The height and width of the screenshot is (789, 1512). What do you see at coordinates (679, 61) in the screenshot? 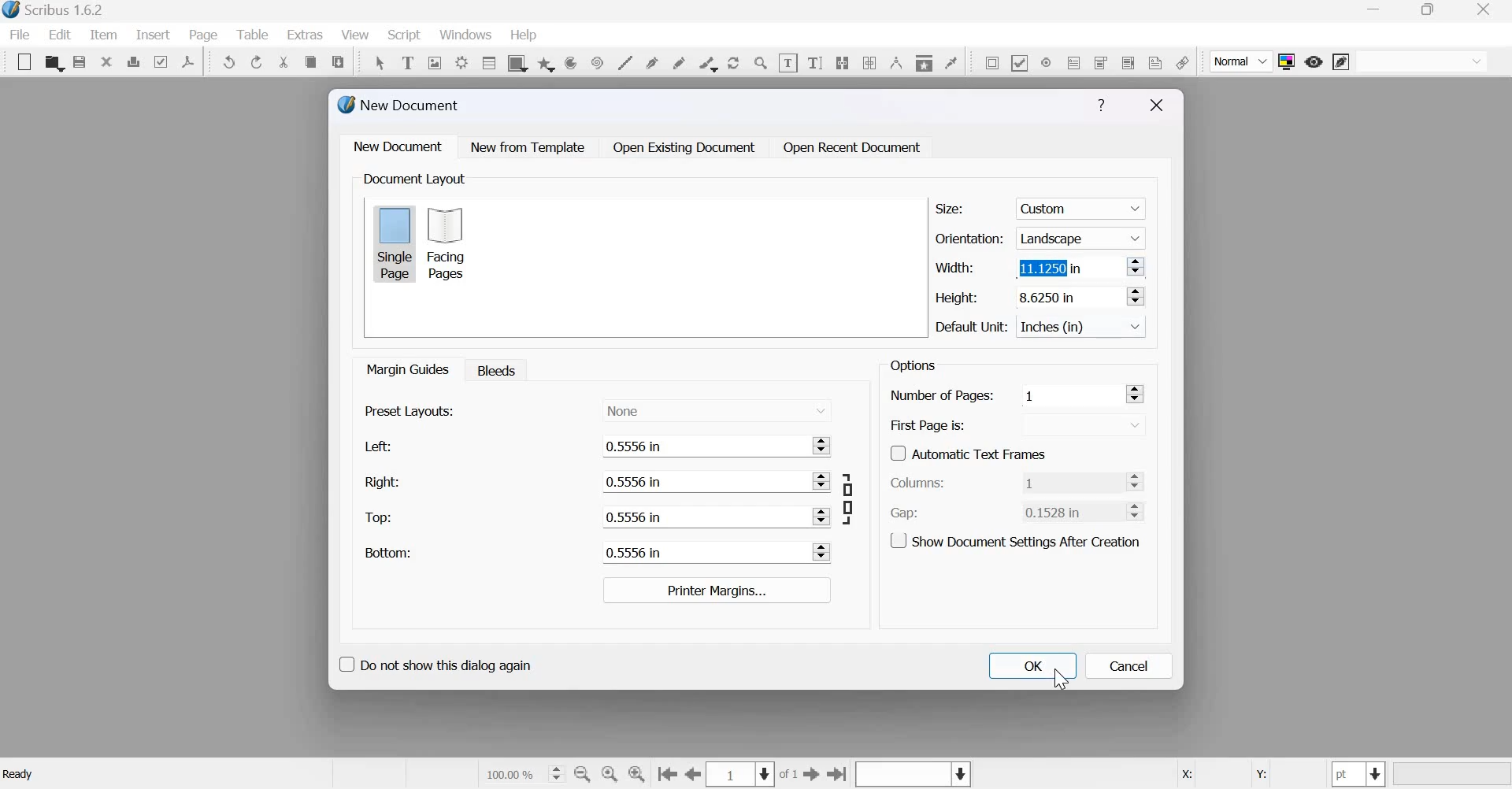
I see `freehand line` at bounding box center [679, 61].